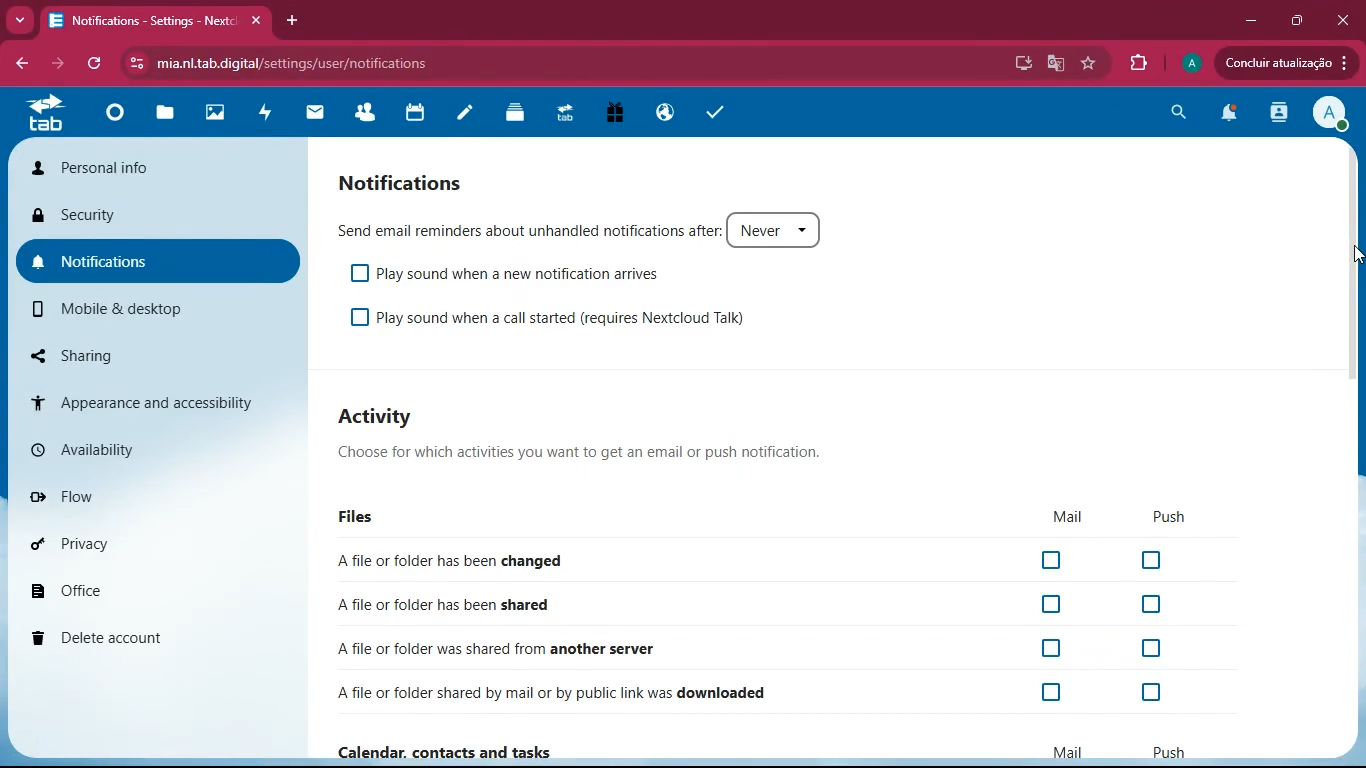 The image size is (1366, 768). Describe the element at coordinates (1056, 647) in the screenshot. I see `Checkbox` at that location.